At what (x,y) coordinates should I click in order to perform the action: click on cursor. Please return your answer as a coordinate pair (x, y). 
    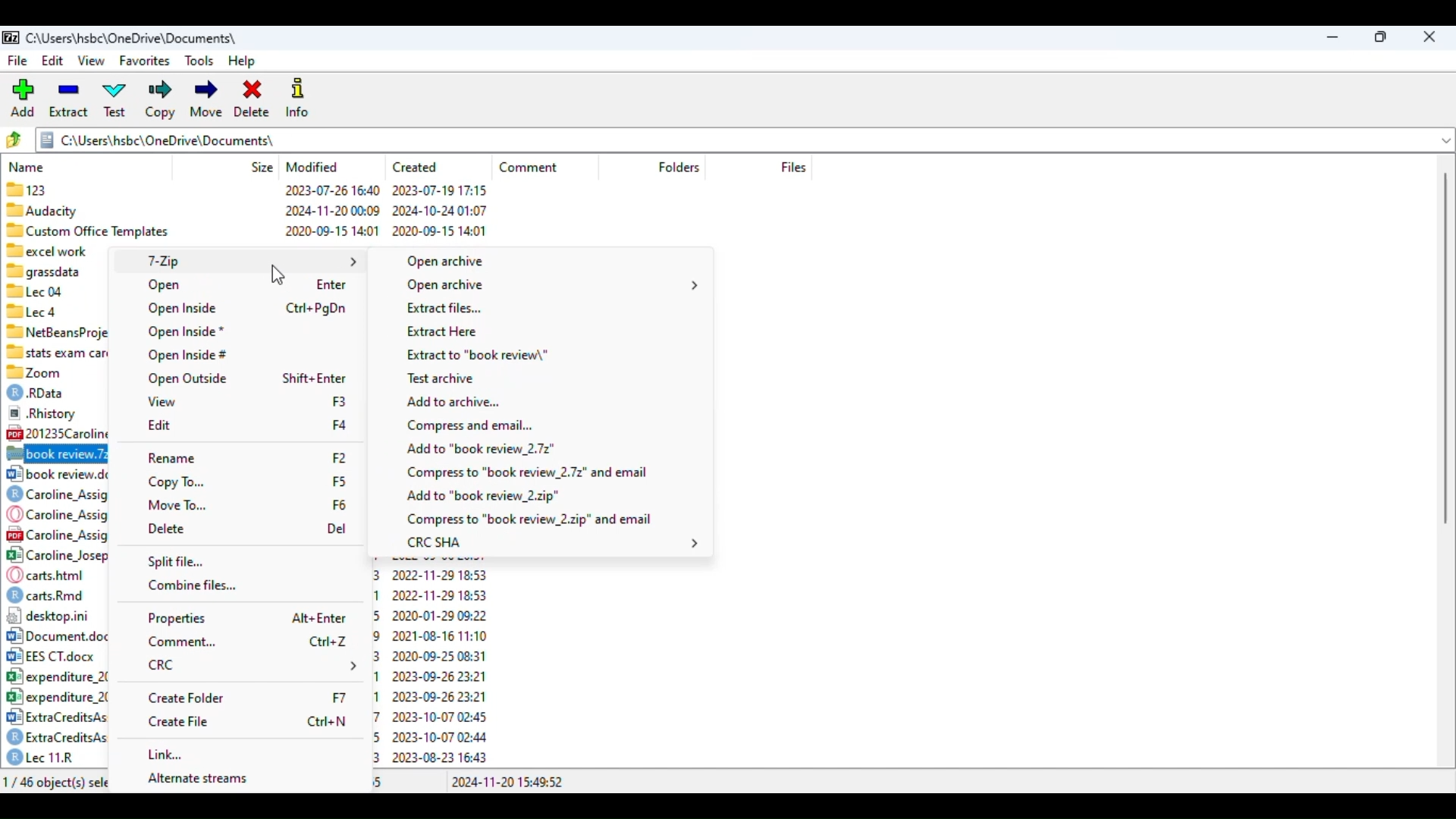
    Looking at the image, I should click on (278, 275).